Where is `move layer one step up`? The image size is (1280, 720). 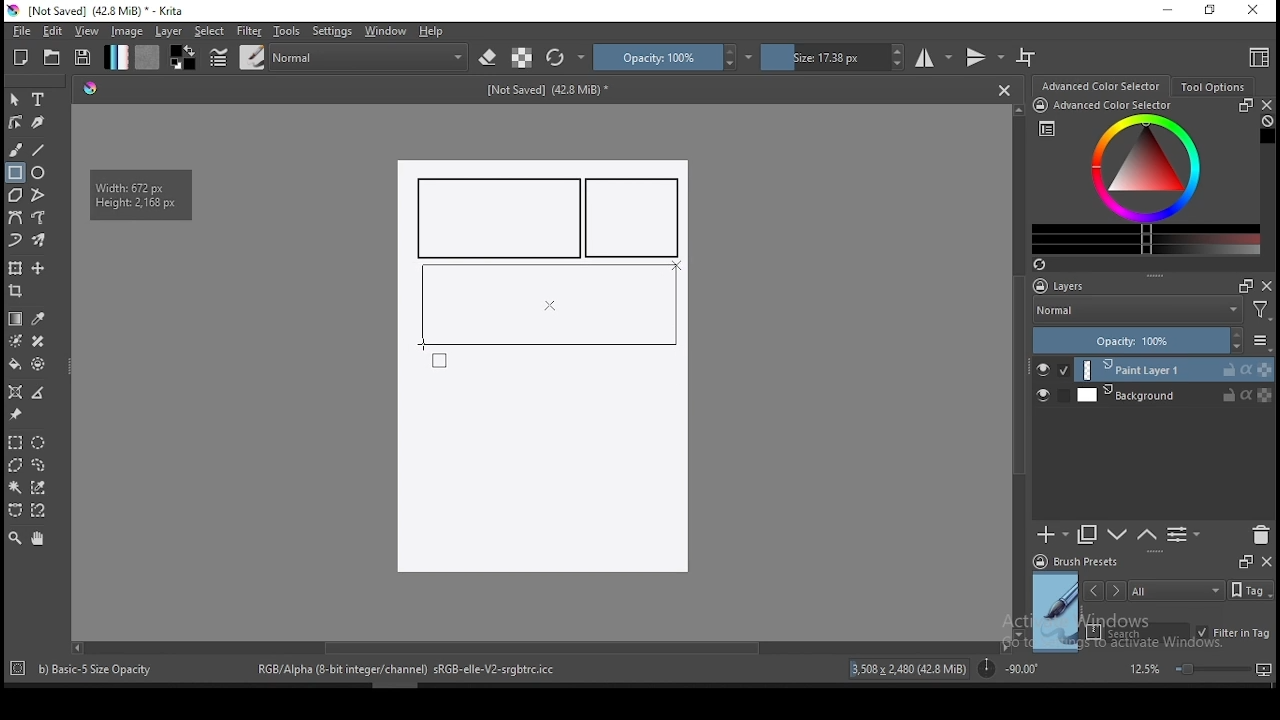 move layer one step up is located at coordinates (1118, 537).